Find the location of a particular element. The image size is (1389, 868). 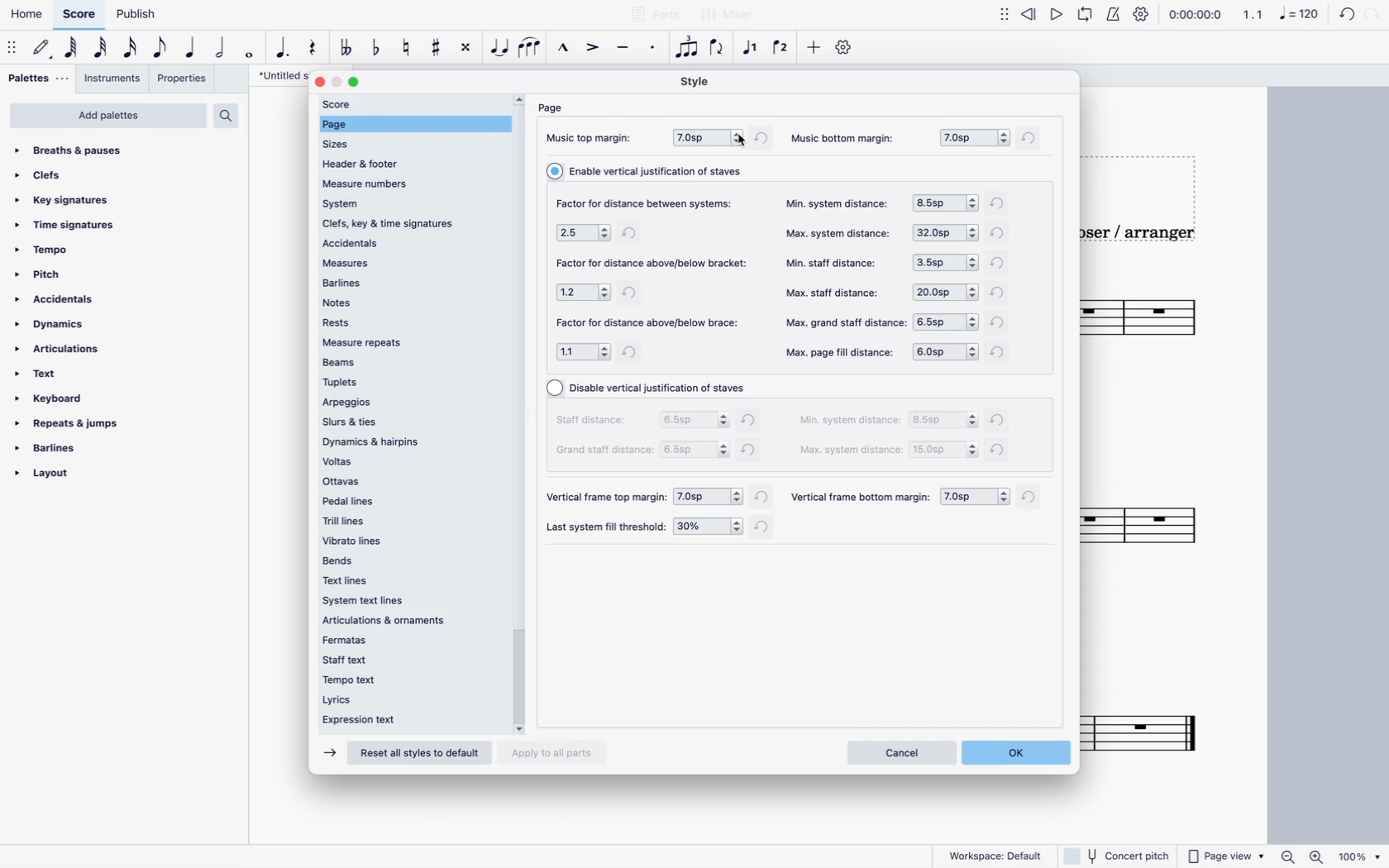

concert pitch is located at coordinates (1115, 855).